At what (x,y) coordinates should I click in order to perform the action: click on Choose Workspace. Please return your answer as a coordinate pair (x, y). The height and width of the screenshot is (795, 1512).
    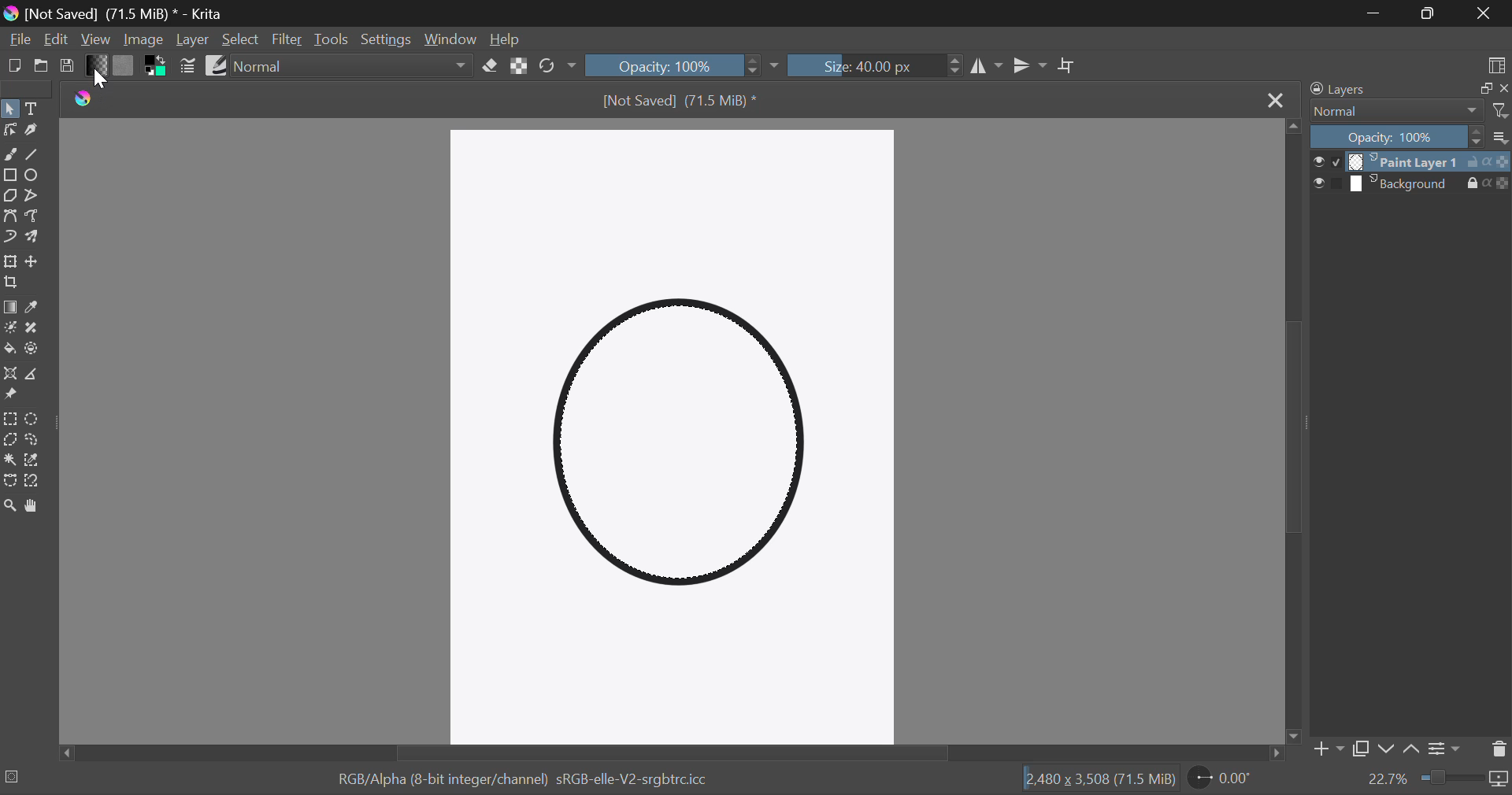
    Looking at the image, I should click on (1497, 65).